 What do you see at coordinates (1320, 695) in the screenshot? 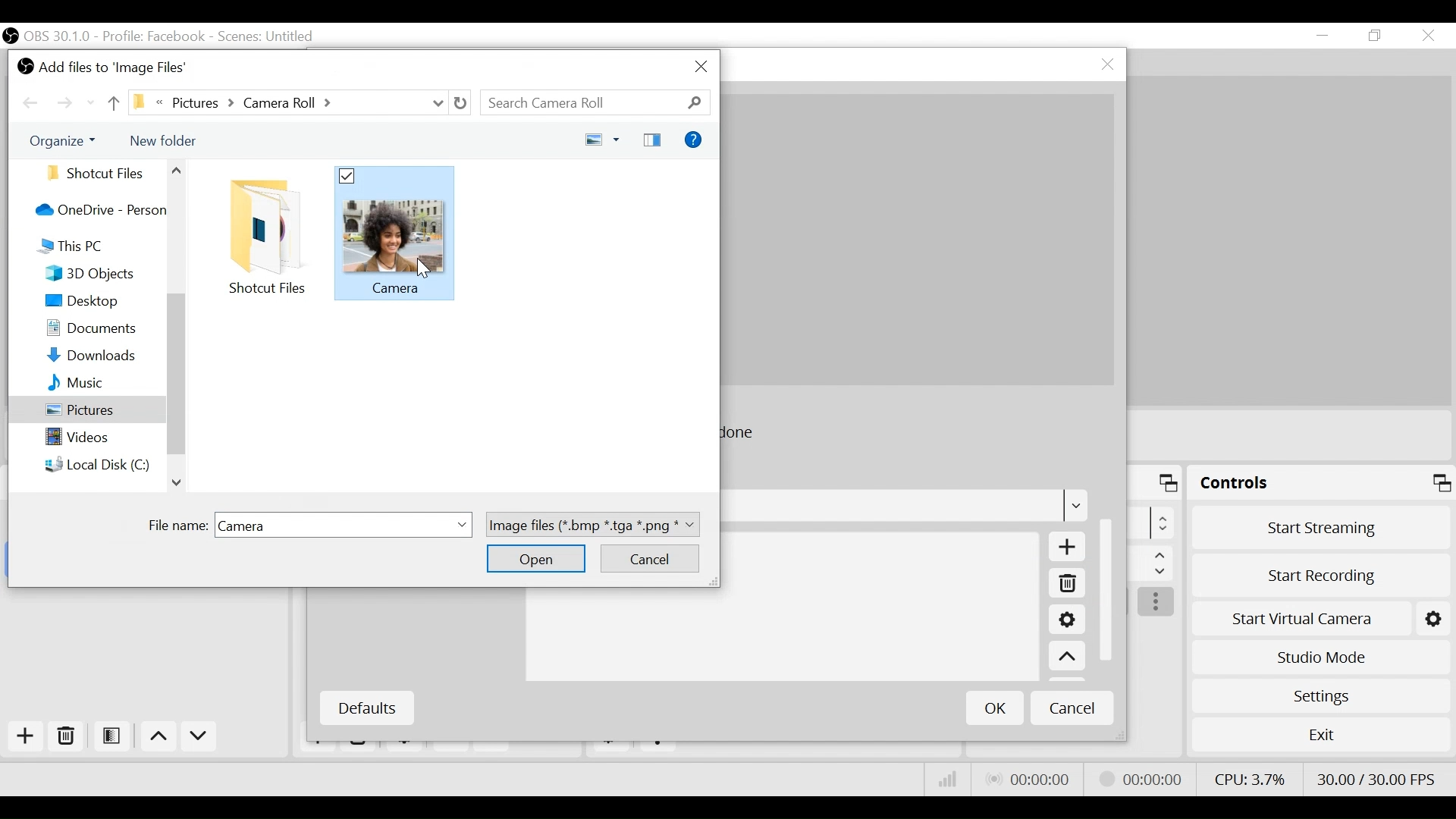
I see `Settings` at bounding box center [1320, 695].